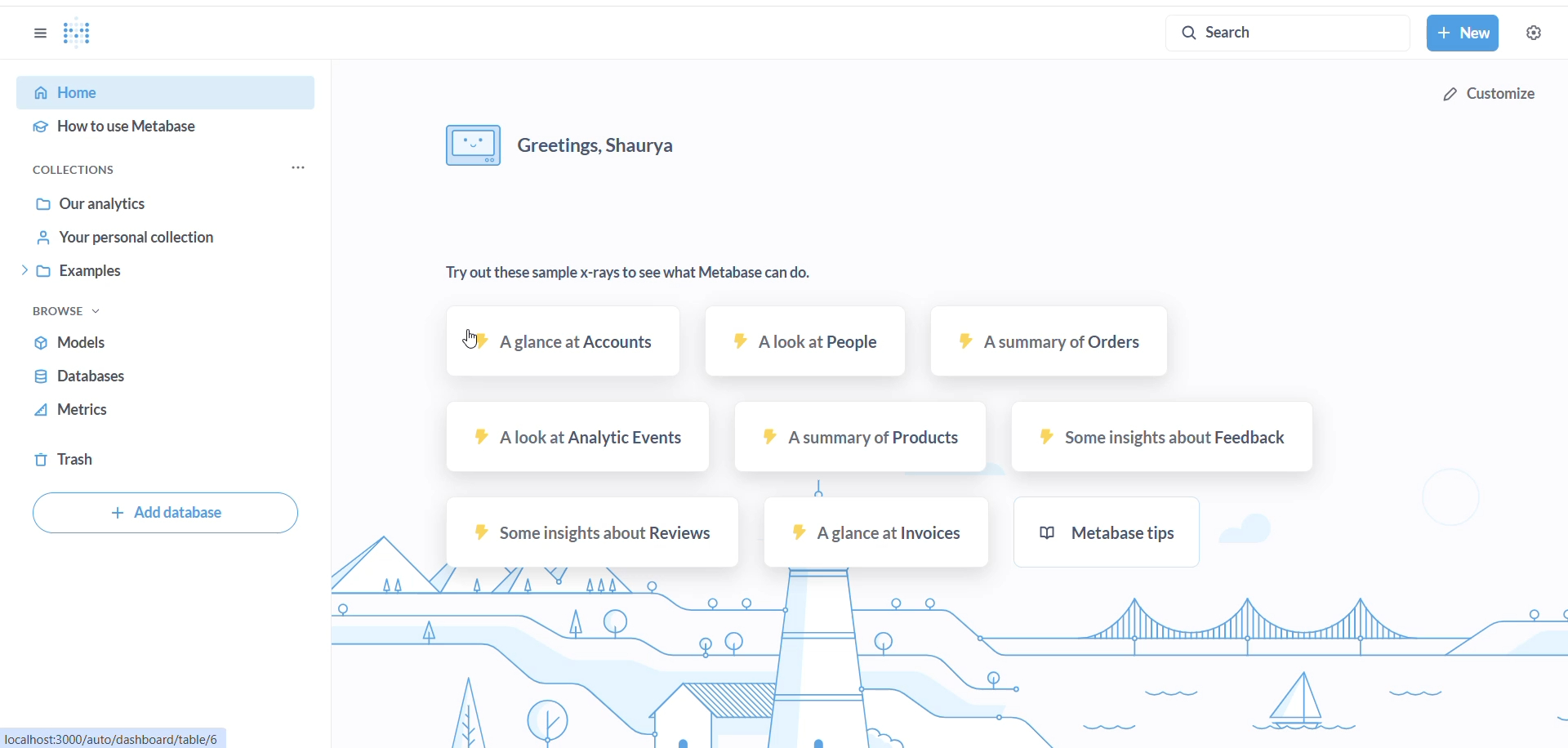 This screenshot has height=748, width=1568. I want to click on collection option, so click(302, 164).